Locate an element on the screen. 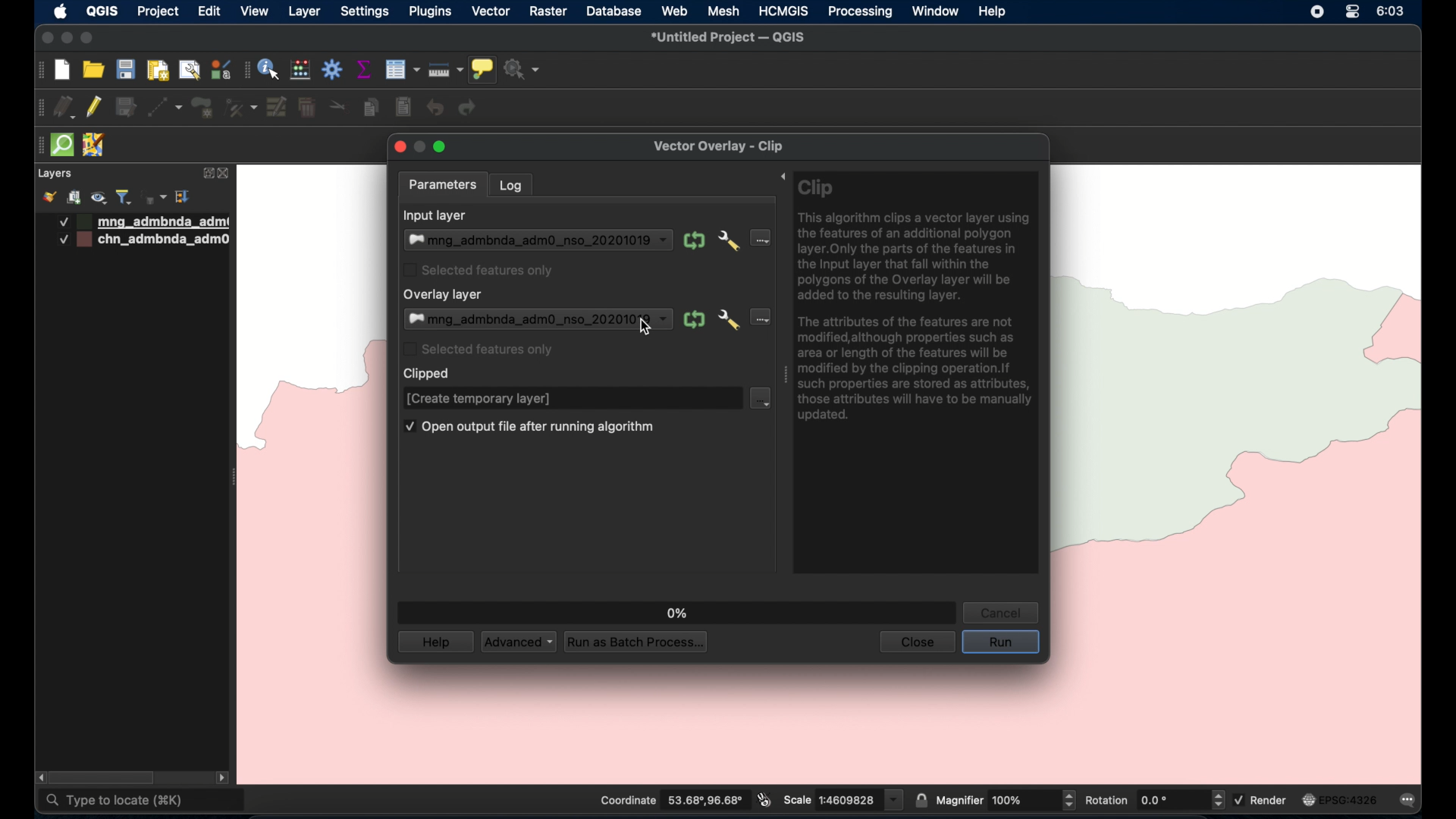  inactive minimize button is located at coordinates (419, 148).